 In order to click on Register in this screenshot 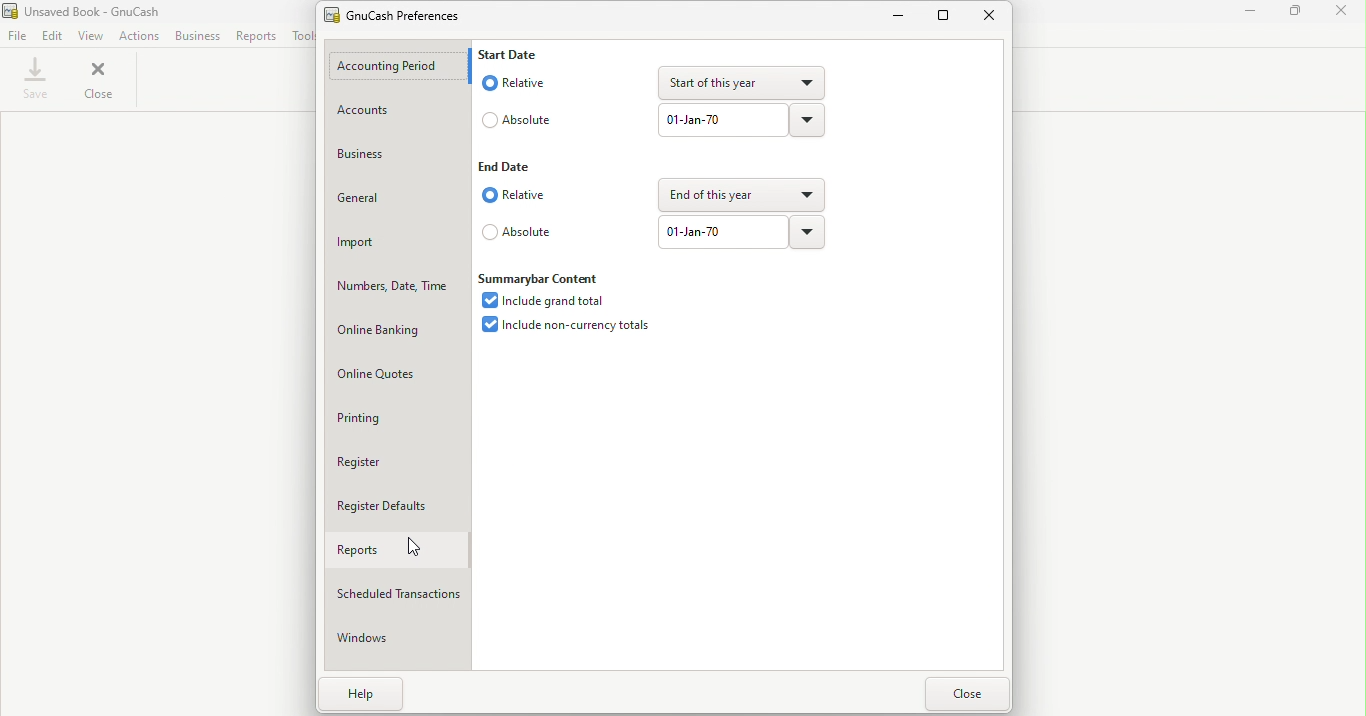, I will do `click(396, 461)`.